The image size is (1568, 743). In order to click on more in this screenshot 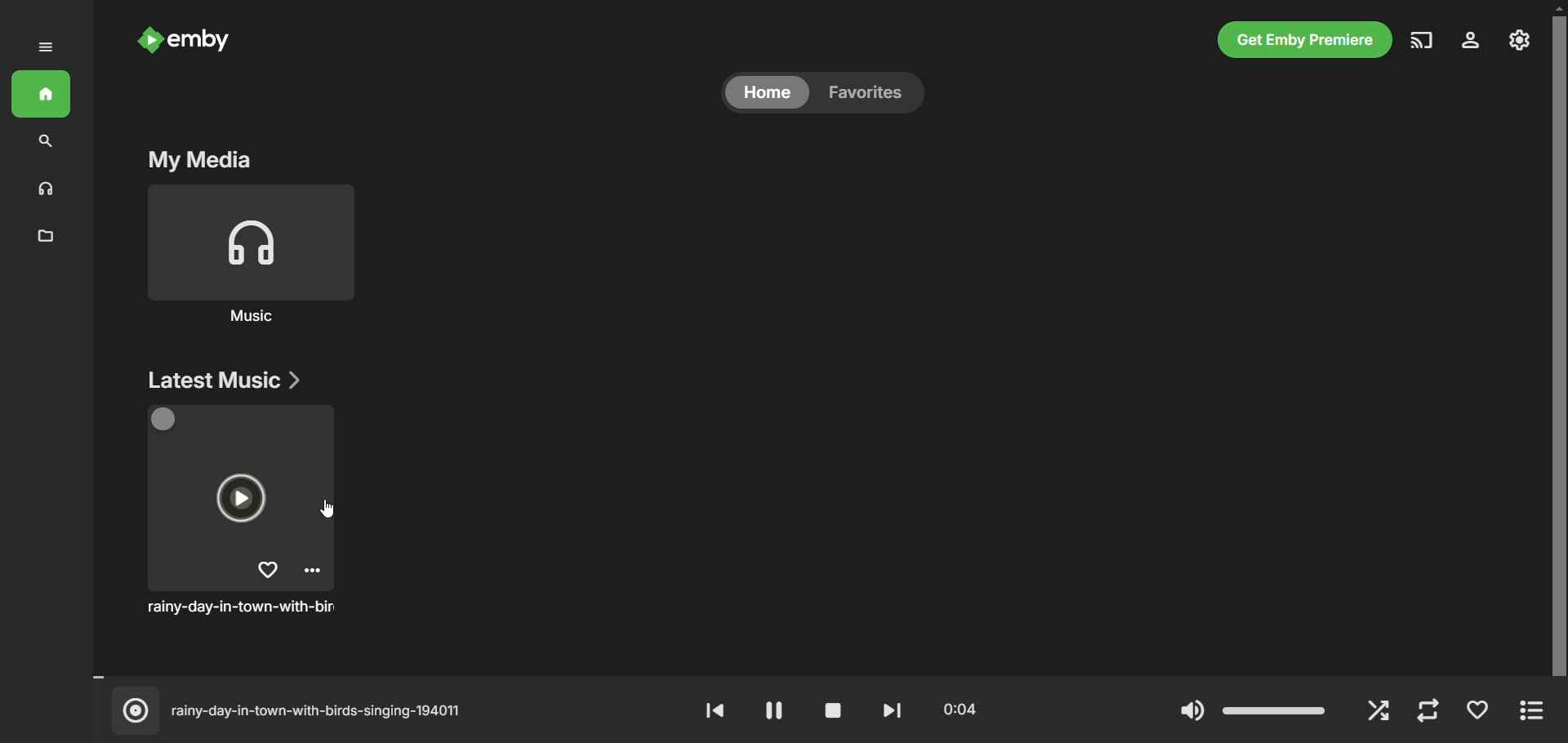, I will do `click(1531, 712)`.